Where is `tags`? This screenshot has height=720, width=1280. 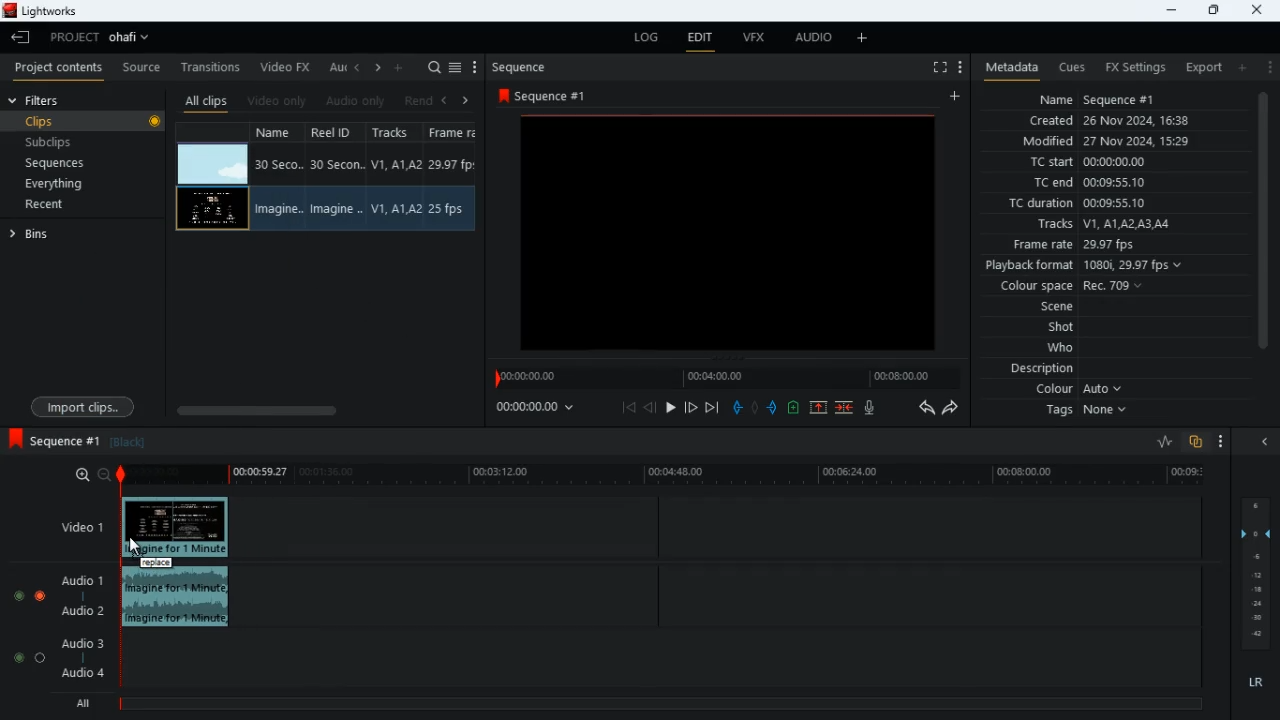 tags is located at coordinates (1091, 411).